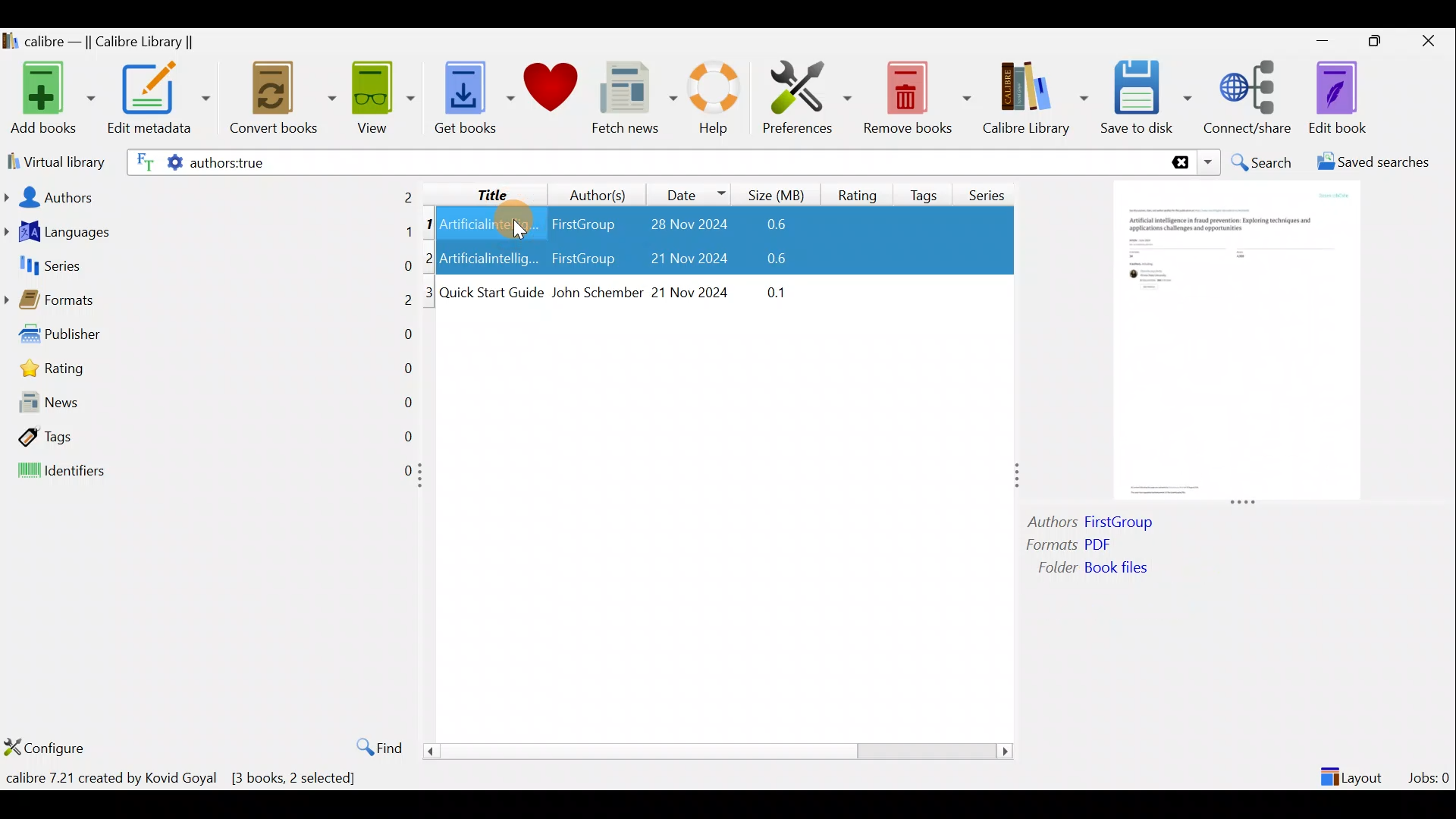  Describe the element at coordinates (158, 101) in the screenshot. I see `Edit metadata` at that location.